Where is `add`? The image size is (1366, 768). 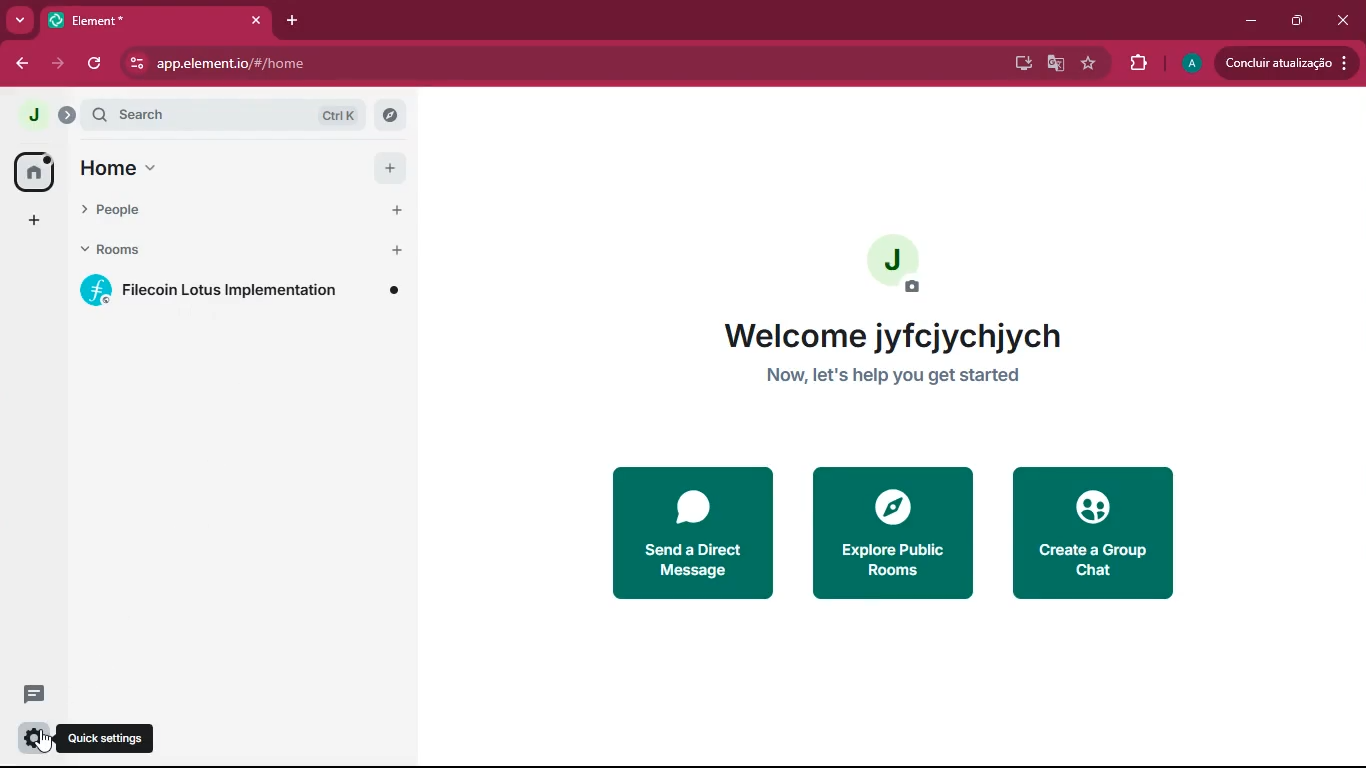 add is located at coordinates (26, 221).